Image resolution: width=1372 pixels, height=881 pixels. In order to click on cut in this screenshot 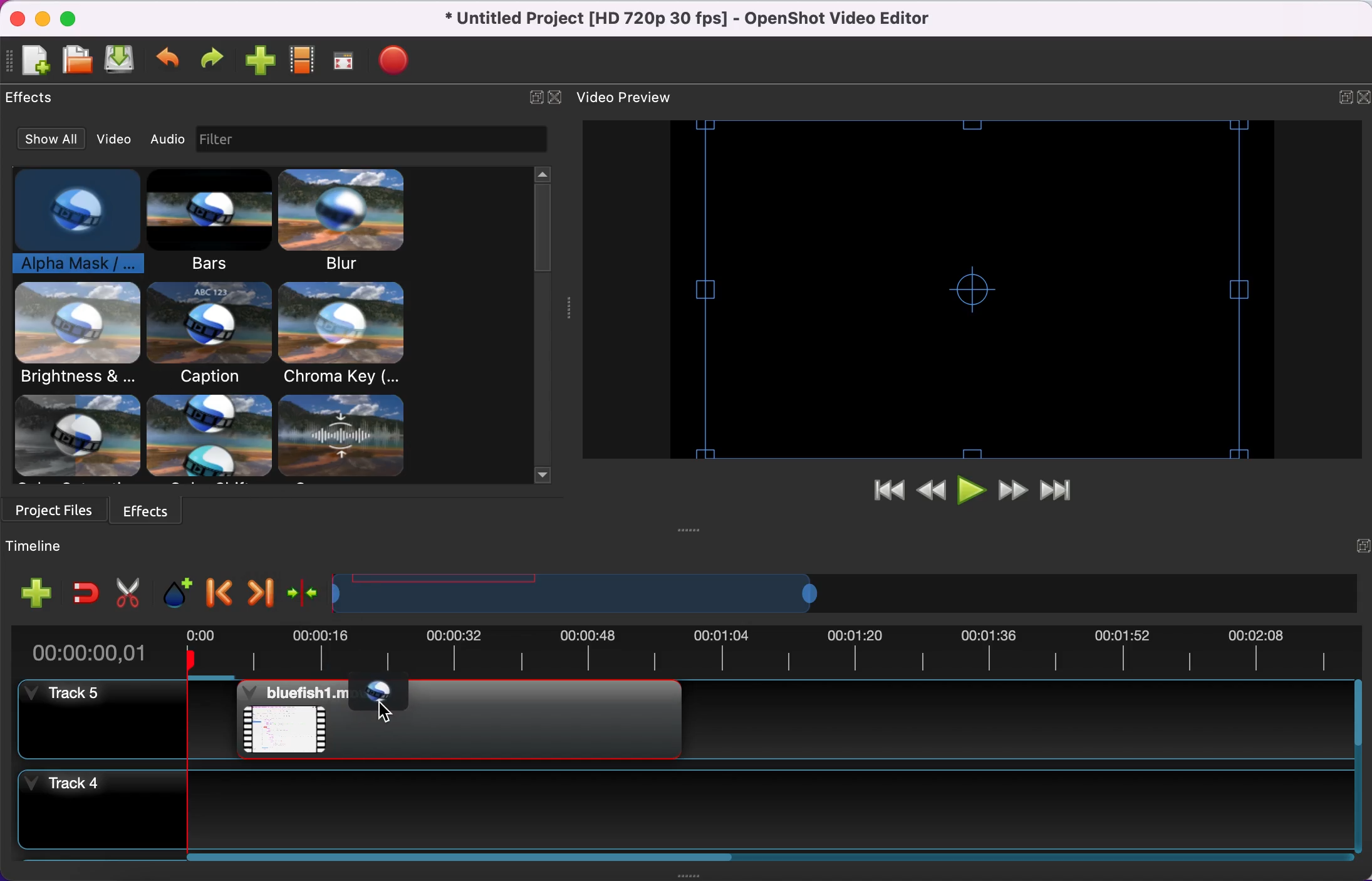, I will do `click(127, 591)`.